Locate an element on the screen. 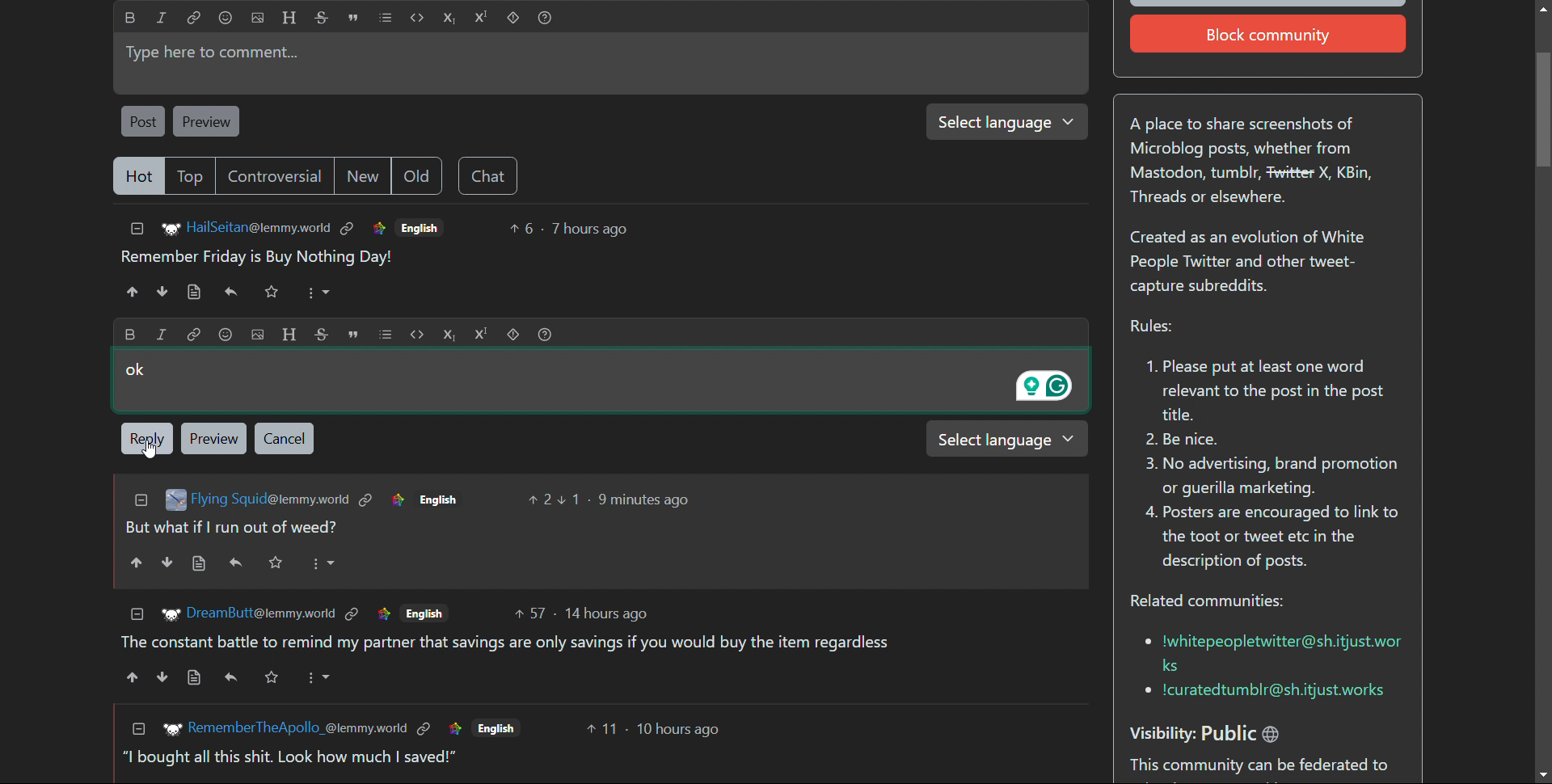 This screenshot has width=1552, height=784. cancel is located at coordinates (284, 439).